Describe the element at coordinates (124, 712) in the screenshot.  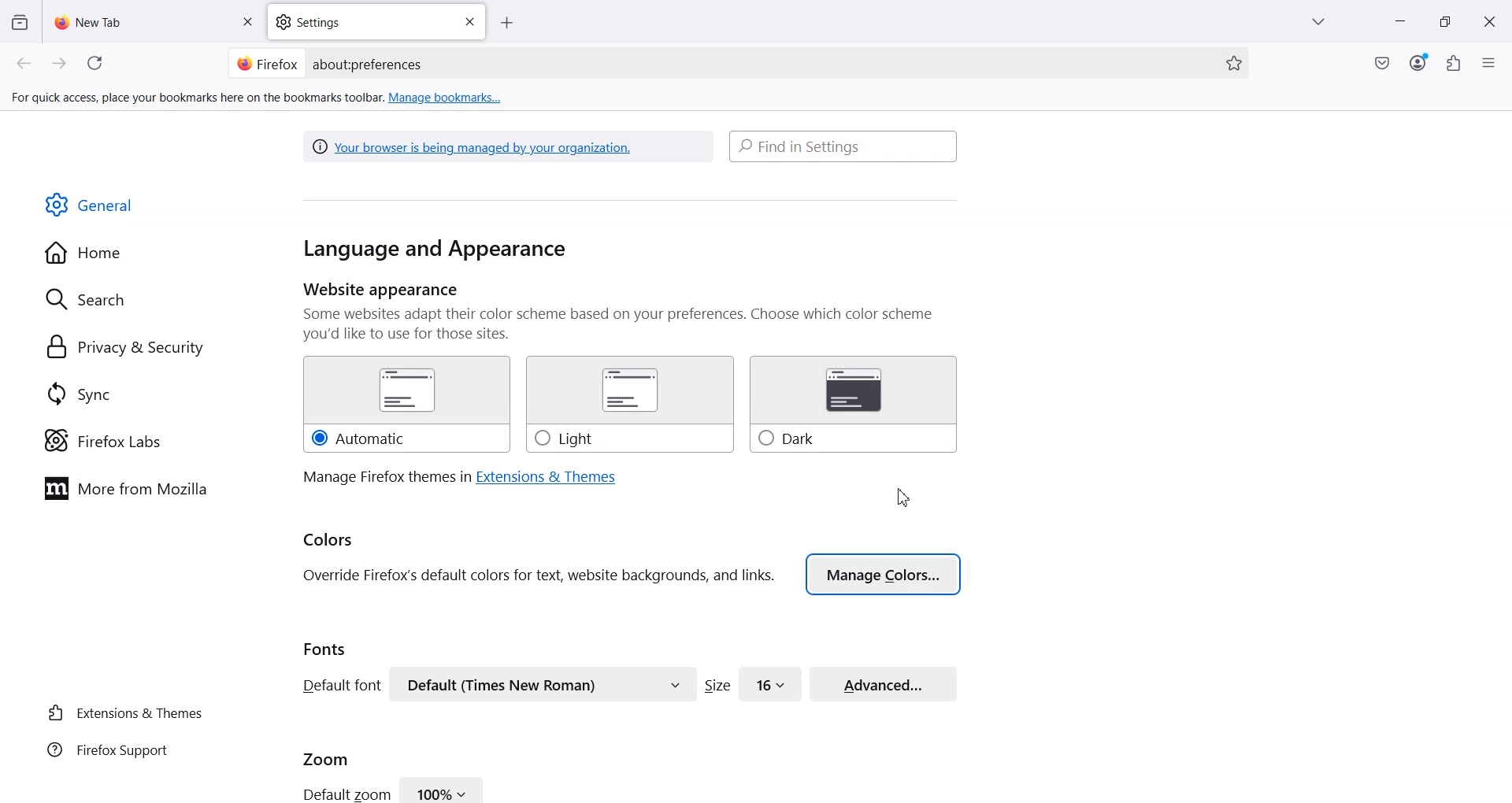
I see `89 Extensions & Themes` at that location.